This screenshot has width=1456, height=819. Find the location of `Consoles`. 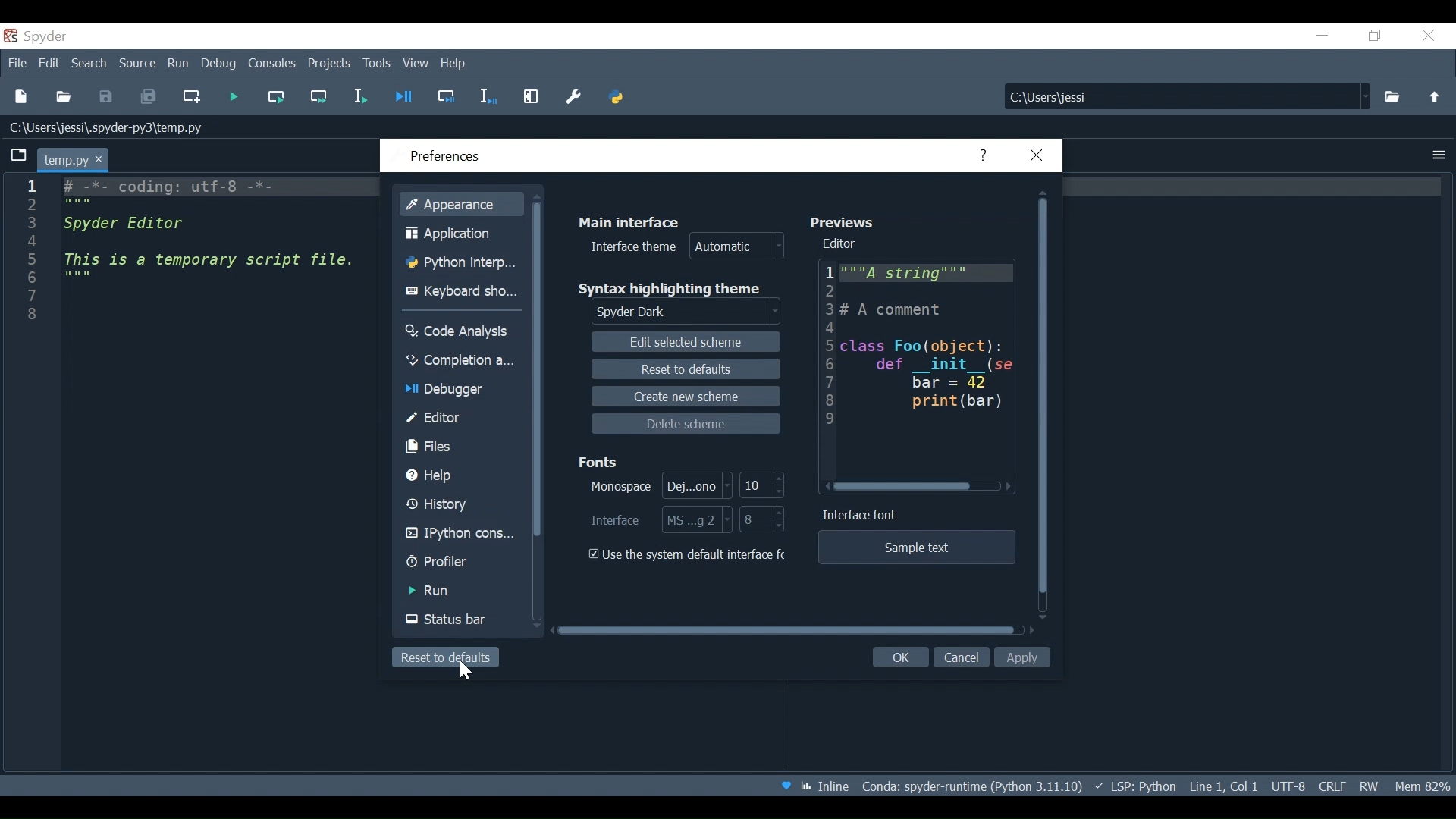

Consoles is located at coordinates (271, 64).